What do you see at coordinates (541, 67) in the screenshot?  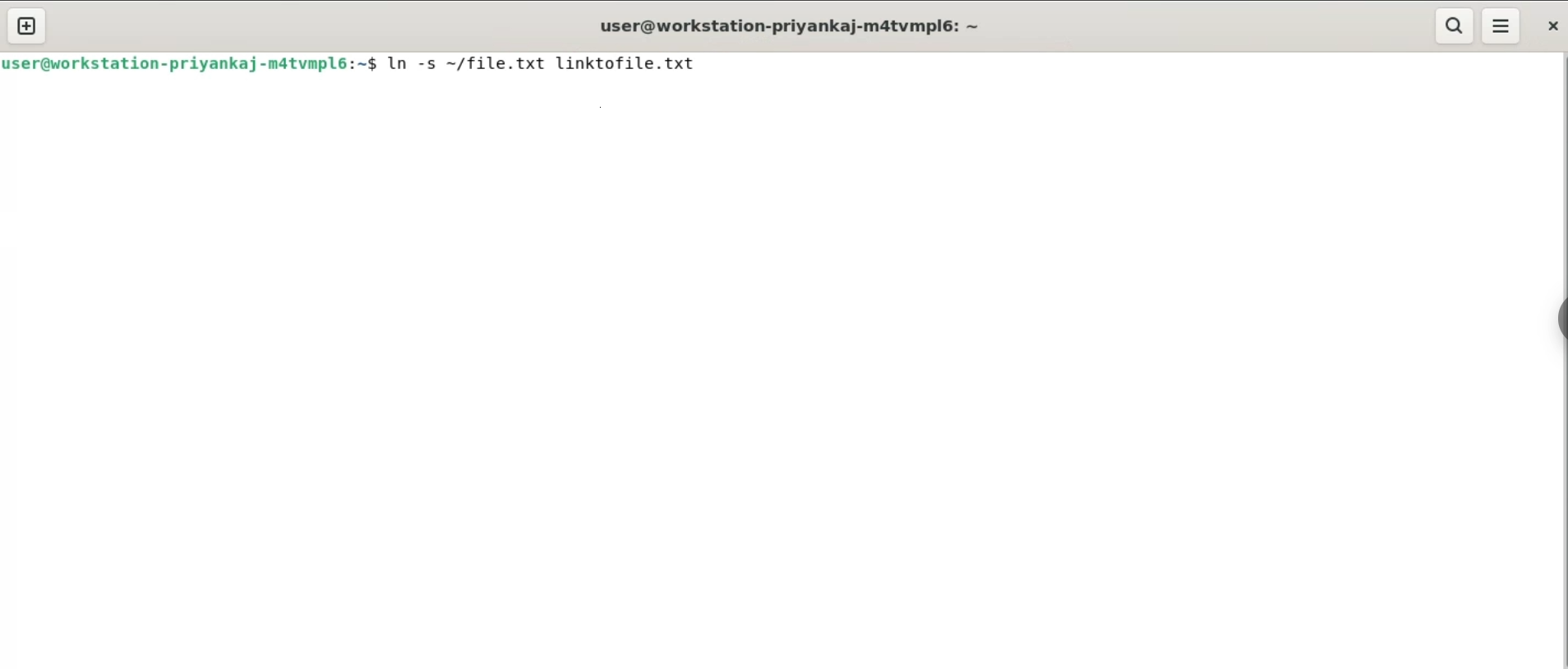 I see `$ ln -s ~/file.txt linktofile.txt` at bounding box center [541, 67].